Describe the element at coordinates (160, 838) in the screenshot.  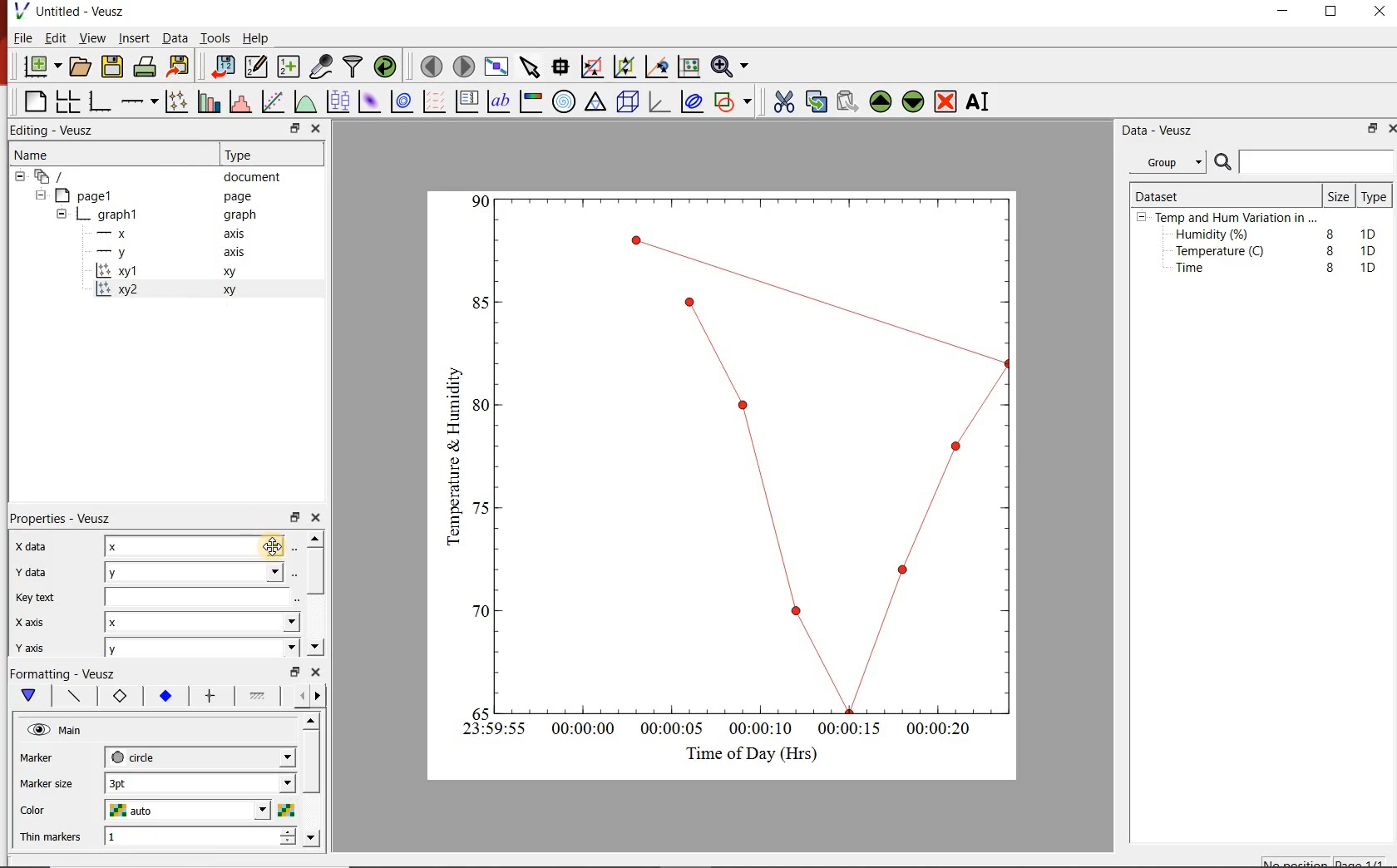
I see `1` at that location.